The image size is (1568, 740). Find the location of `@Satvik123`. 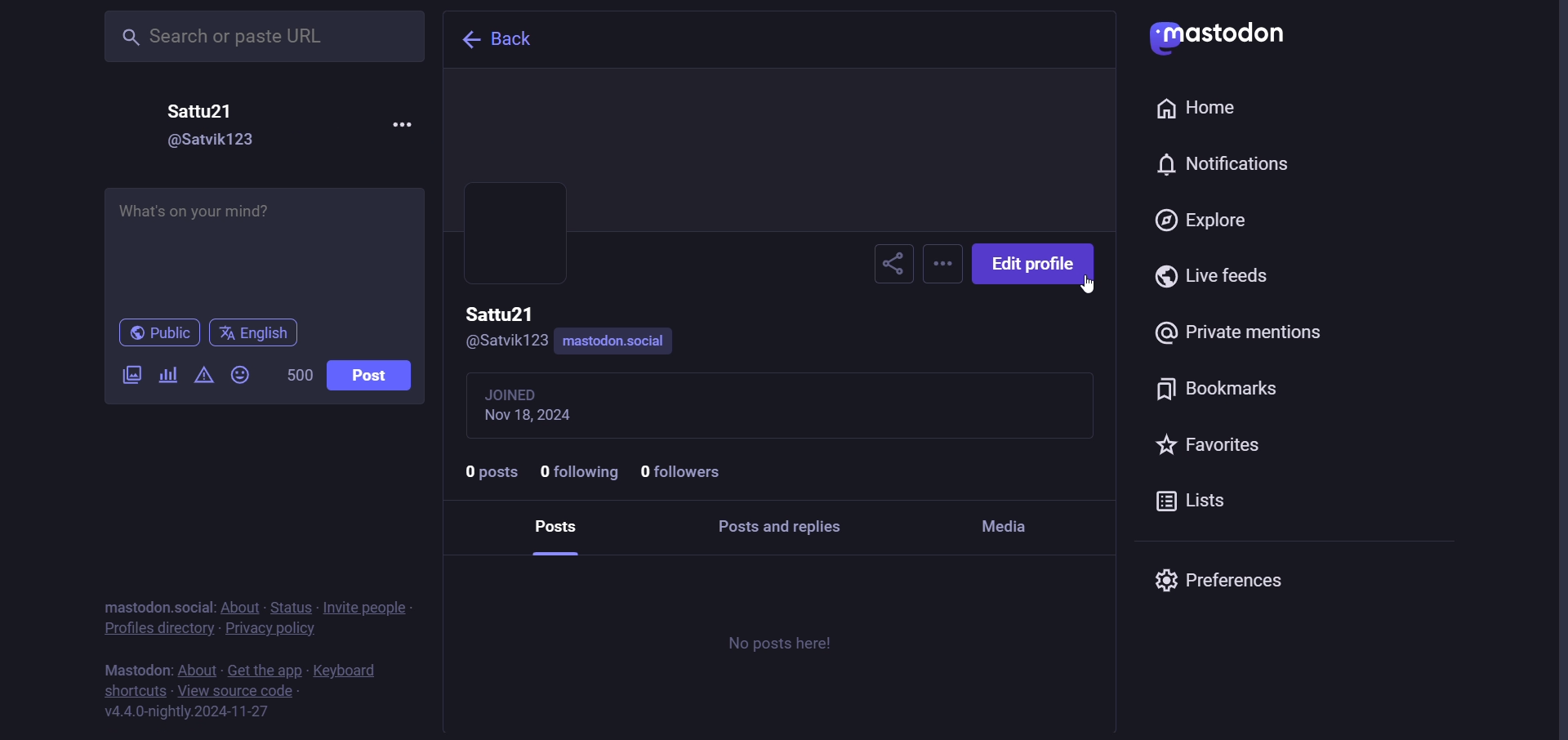

@Satvik123 is located at coordinates (511, 340).